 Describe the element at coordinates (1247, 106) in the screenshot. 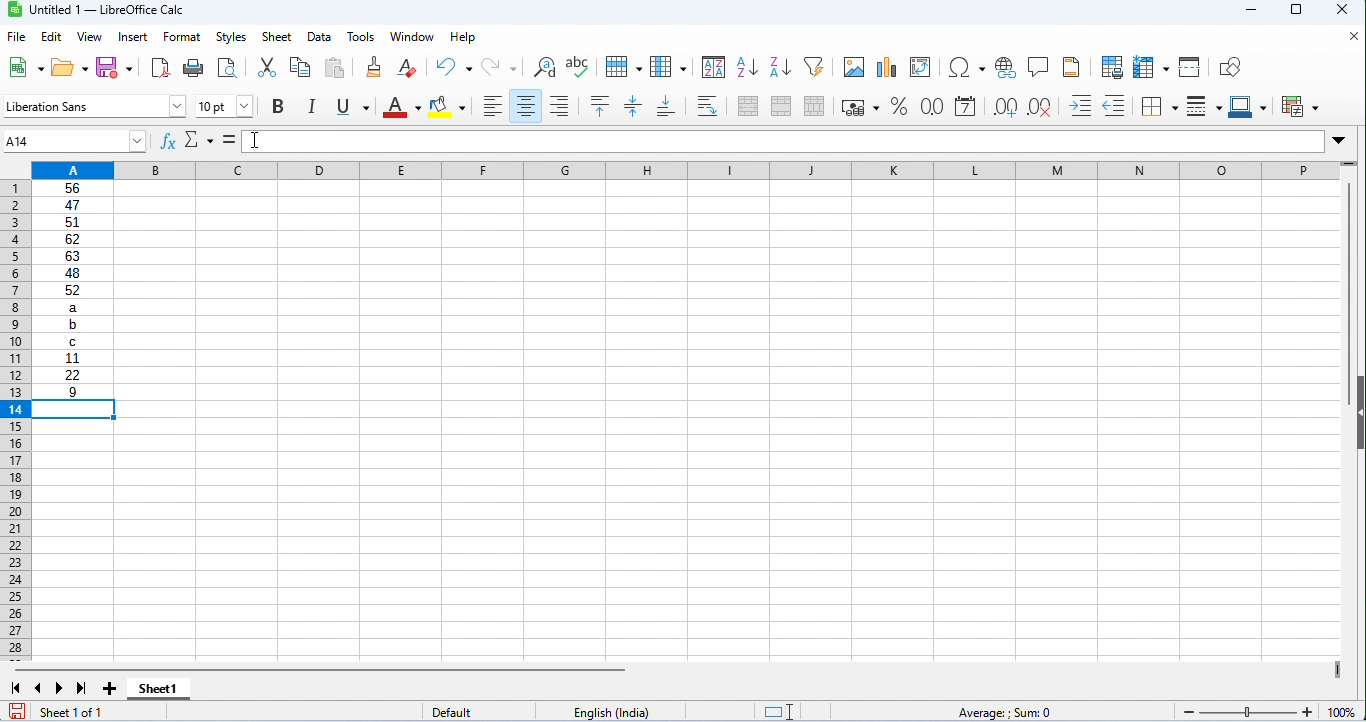

I see `border color` at that location.